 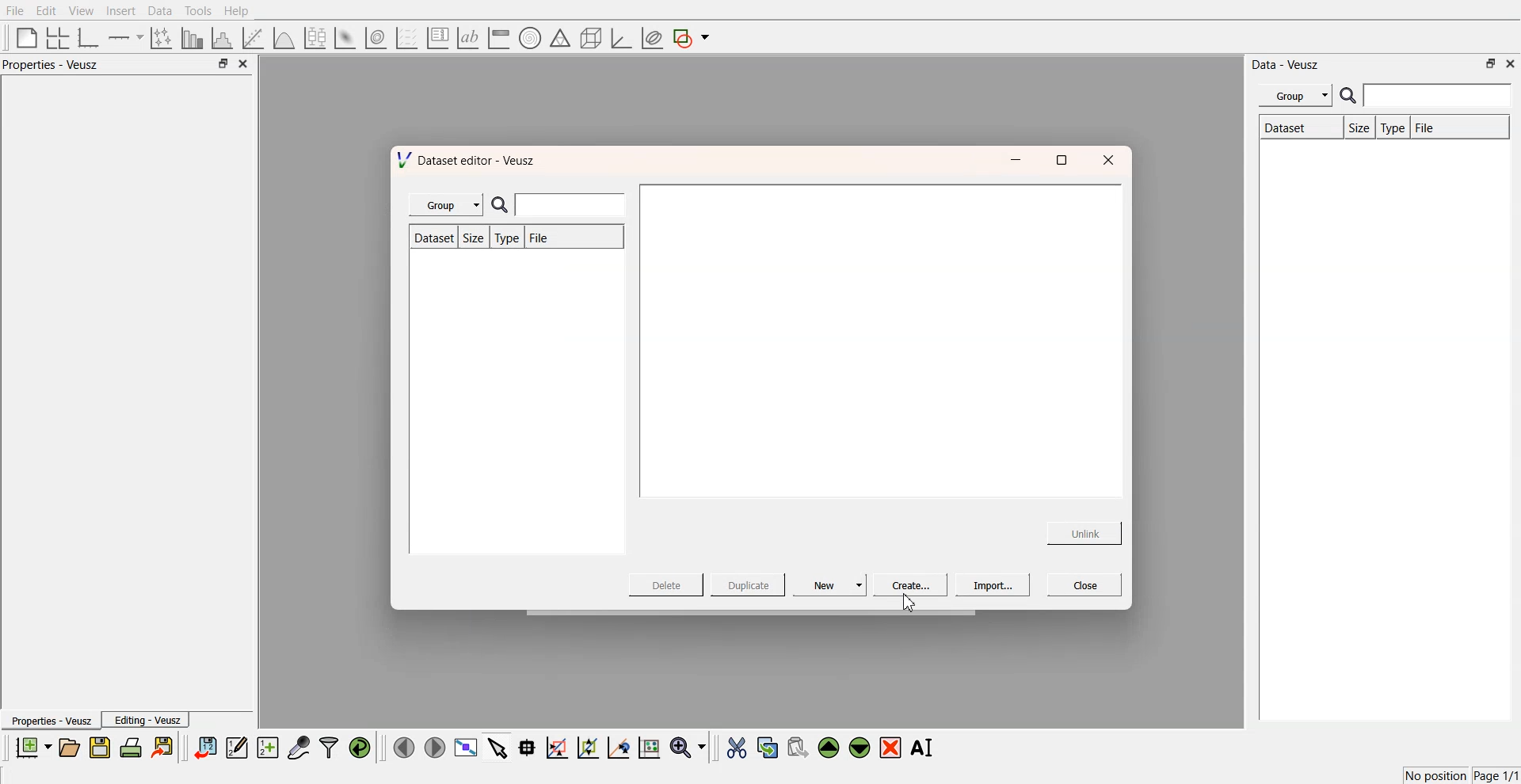 What do you see at coordinates (1350, 95) in the screenshot?
I see `search icon` at bounding box center [1350, 95].